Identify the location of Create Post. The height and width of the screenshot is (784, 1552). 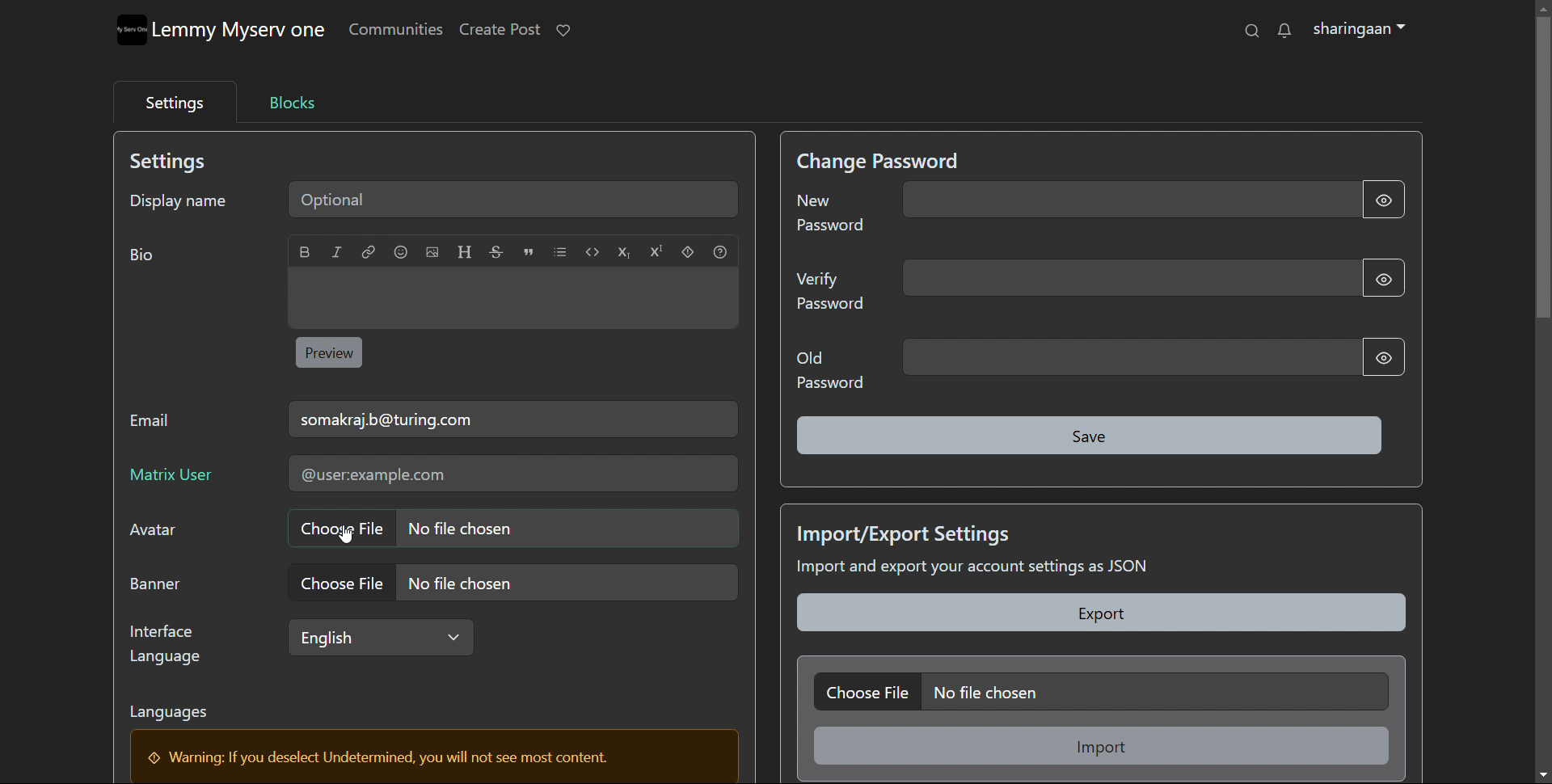
(501, 30).